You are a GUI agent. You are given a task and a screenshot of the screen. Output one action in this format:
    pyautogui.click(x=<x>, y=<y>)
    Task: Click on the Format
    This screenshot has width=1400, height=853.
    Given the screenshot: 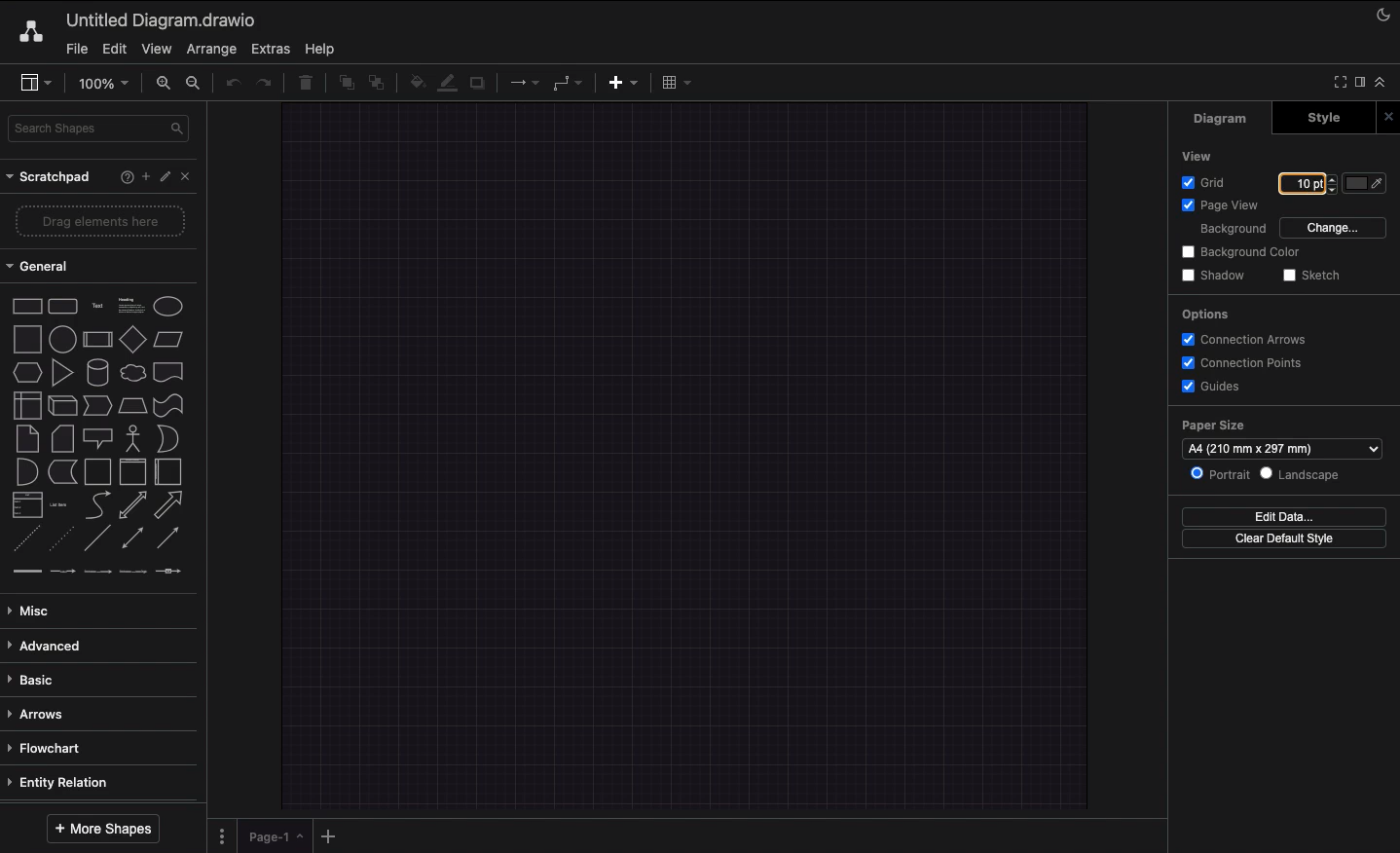 What is the action you would take?
    pyautogui.click(x=1359, y=82)
    